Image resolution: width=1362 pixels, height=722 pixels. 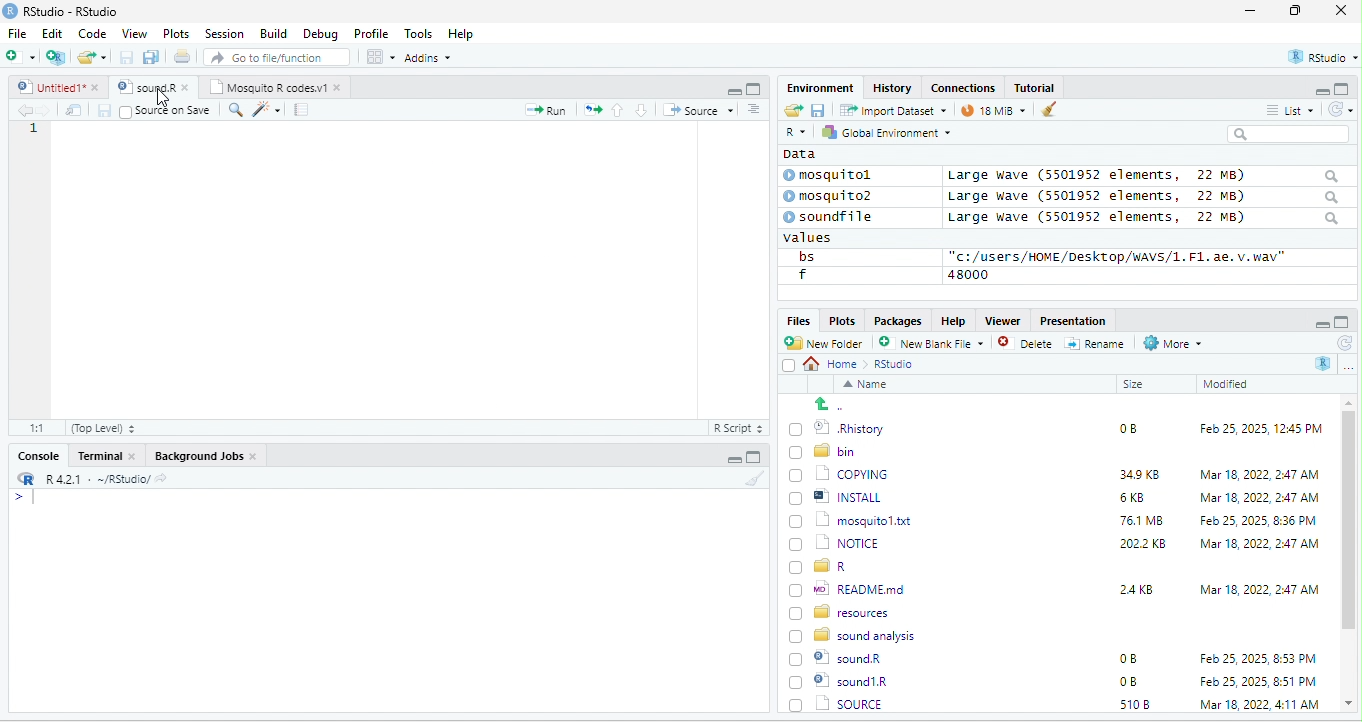 I want to click on data, so click(x=797, y=153).